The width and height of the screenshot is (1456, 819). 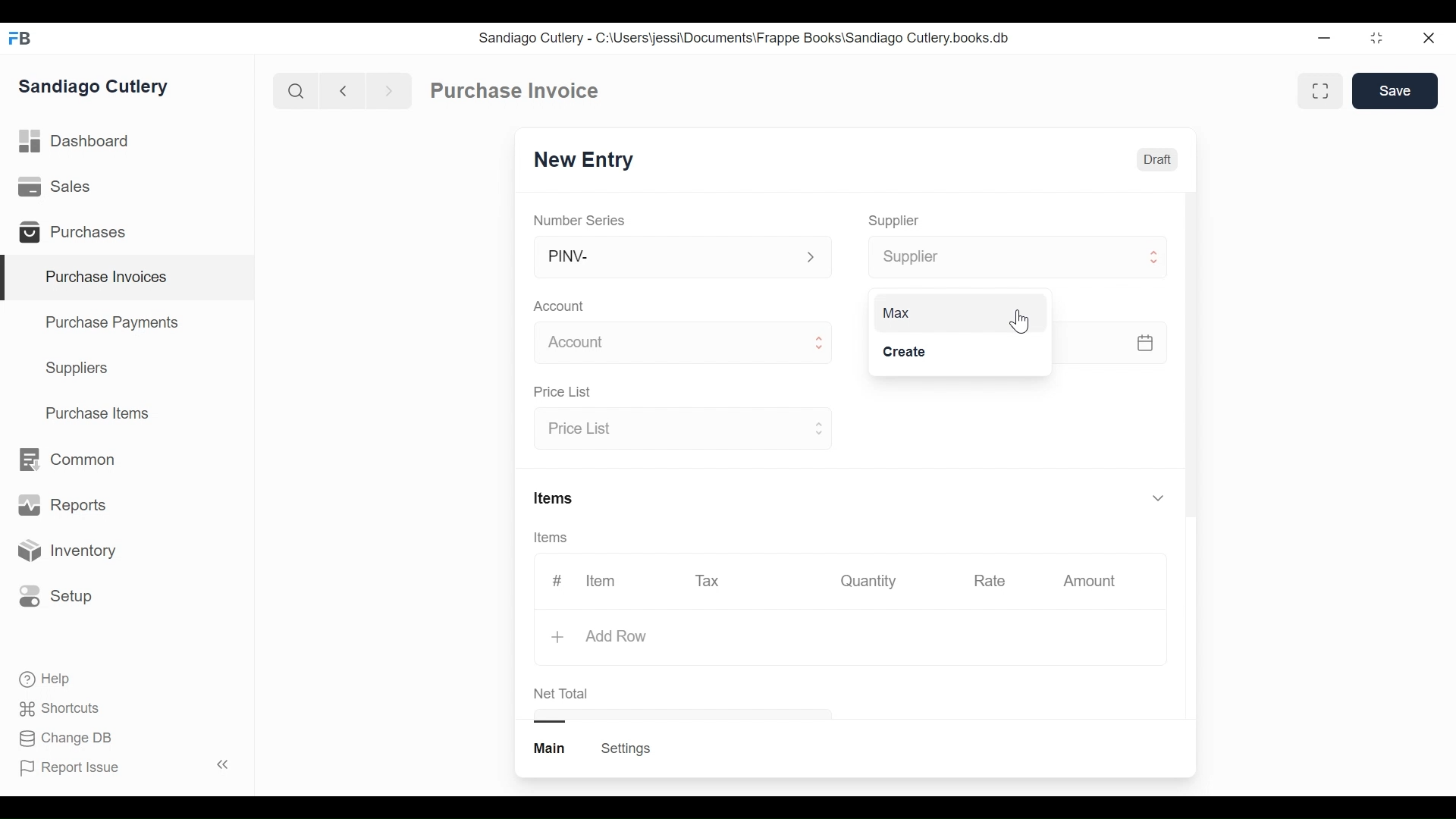 I want to click on Price List, so click(x=561, y=393).